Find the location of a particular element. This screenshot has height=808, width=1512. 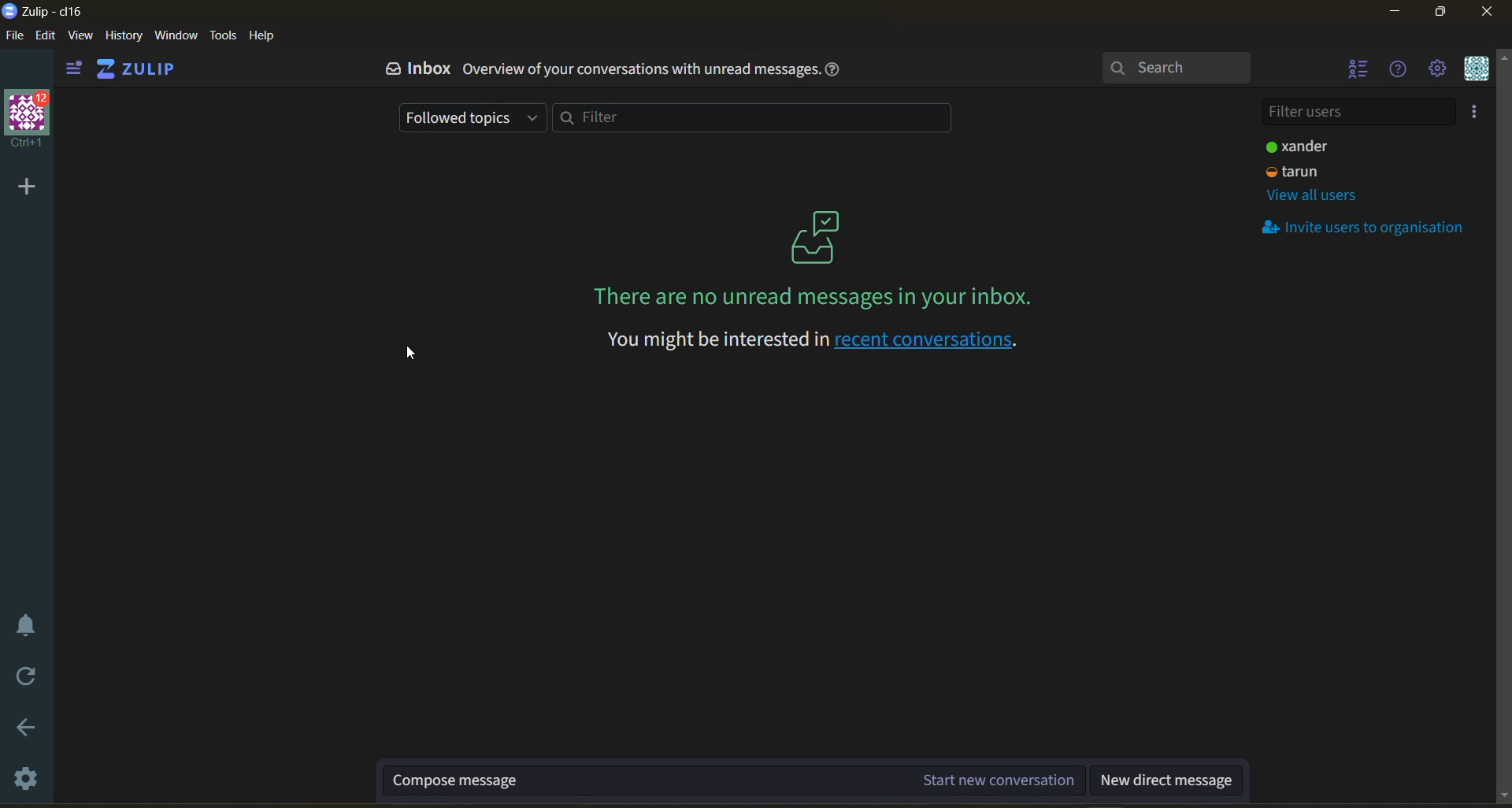

view all users is located at coordinates (1314, 195).